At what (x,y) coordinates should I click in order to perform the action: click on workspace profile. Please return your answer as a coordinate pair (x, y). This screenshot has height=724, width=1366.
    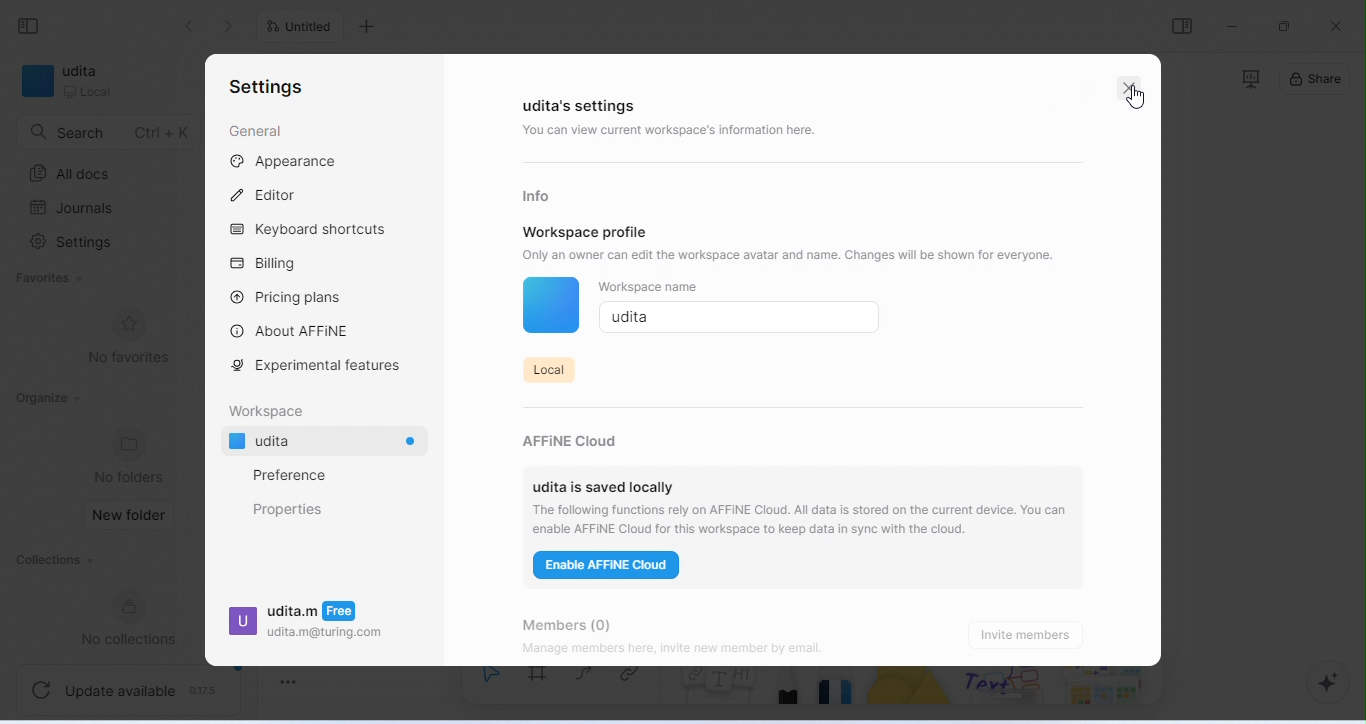
    Looking at the image, I should click on (586, 231).